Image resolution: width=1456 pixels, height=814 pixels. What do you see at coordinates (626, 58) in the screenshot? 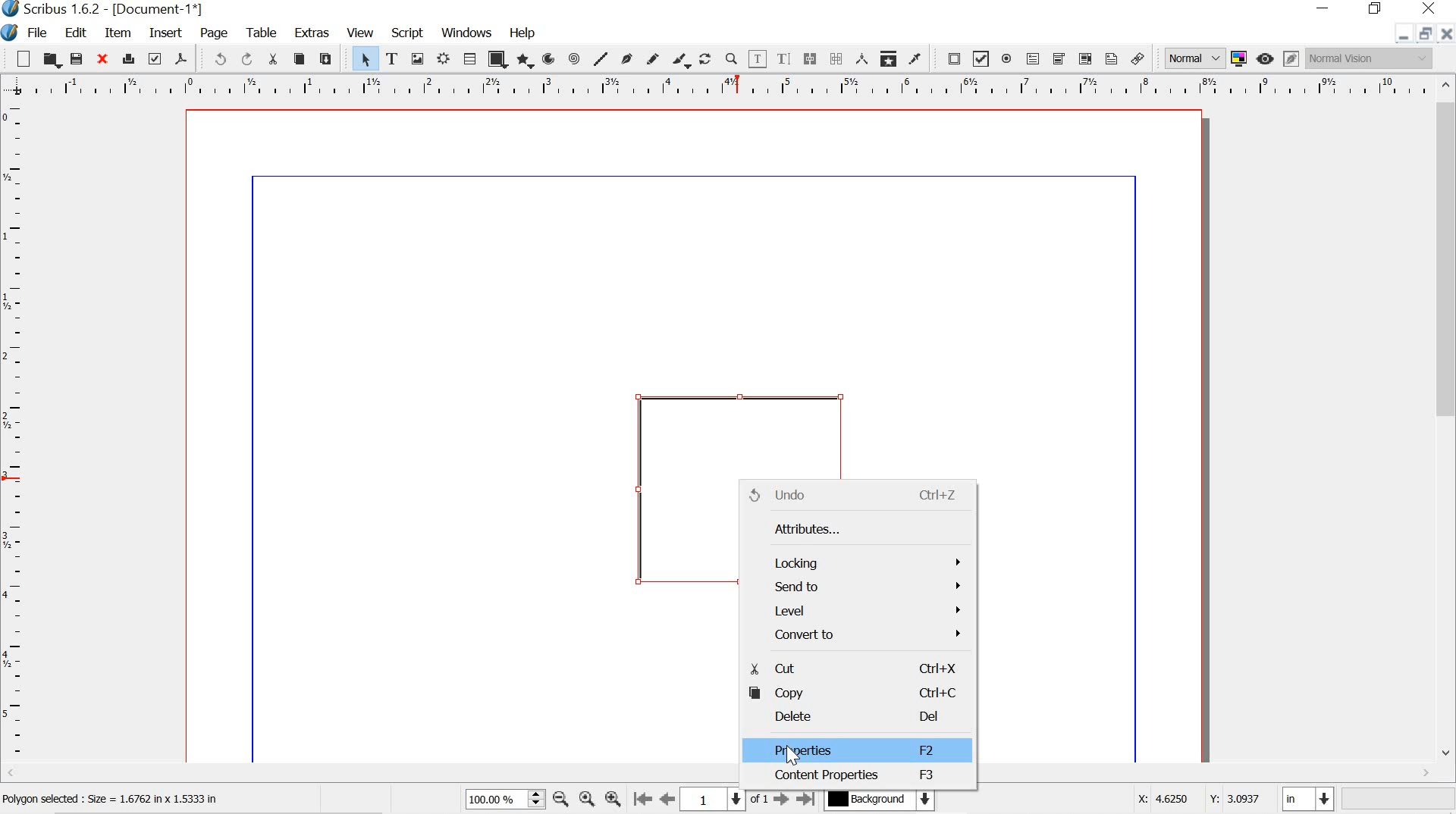
I see `bezier curve` at bounding box center [626, 58].